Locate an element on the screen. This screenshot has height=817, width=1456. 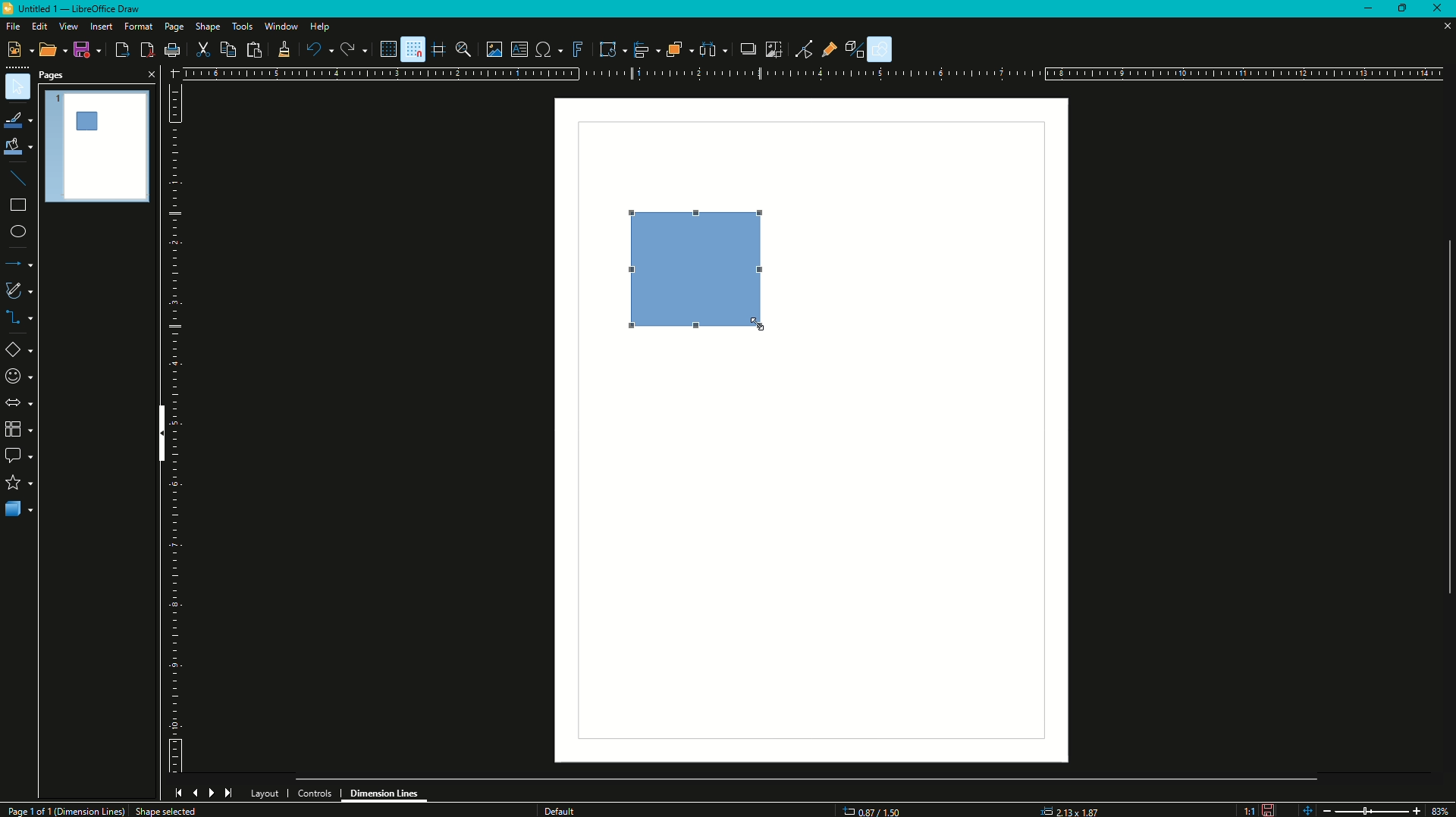
Select at least three objects is located at coordinates (713, 48).